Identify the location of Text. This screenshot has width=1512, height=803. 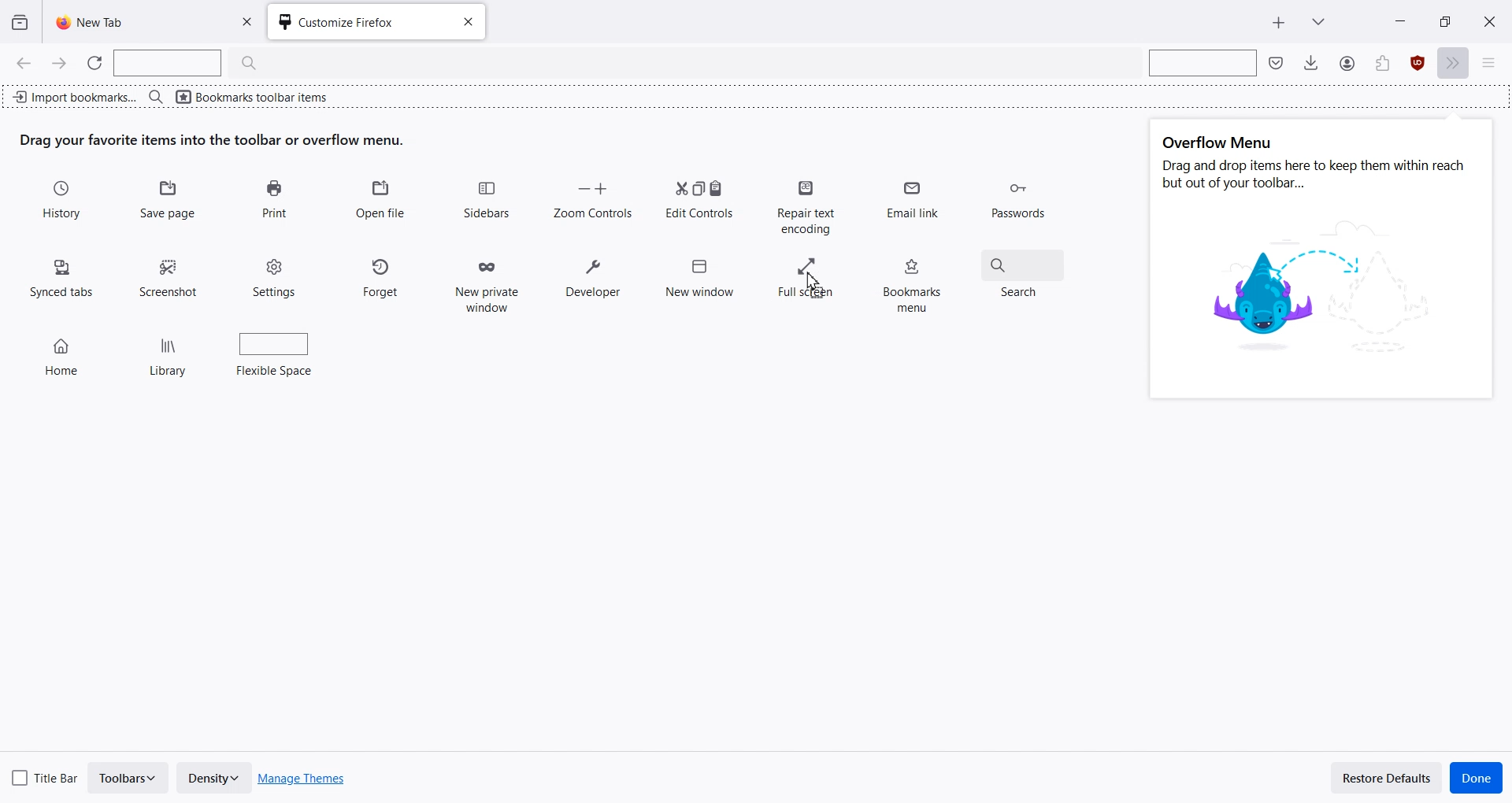
(1316, 165).